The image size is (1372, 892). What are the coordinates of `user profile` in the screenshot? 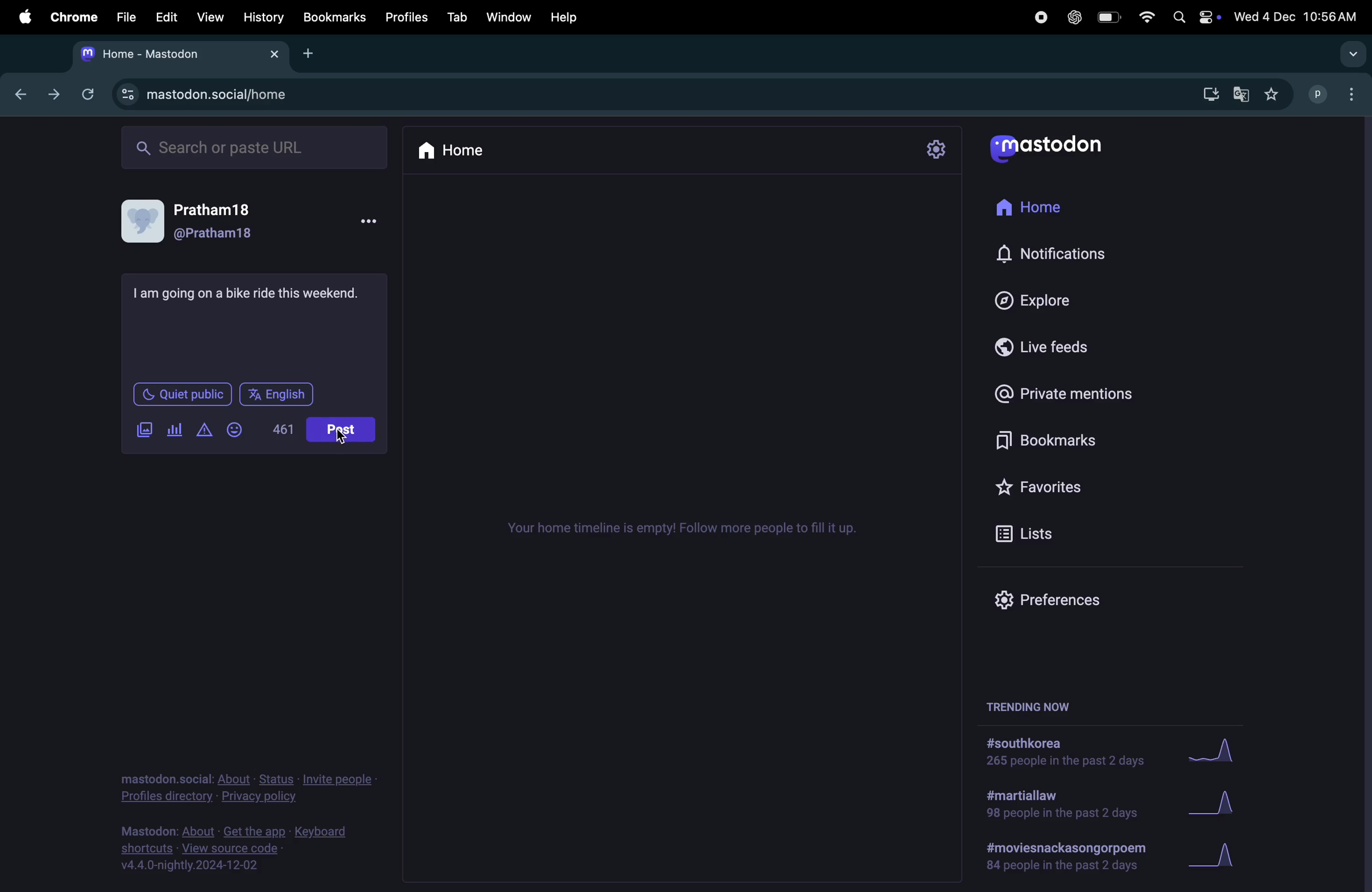 It's located at (1336, 92).